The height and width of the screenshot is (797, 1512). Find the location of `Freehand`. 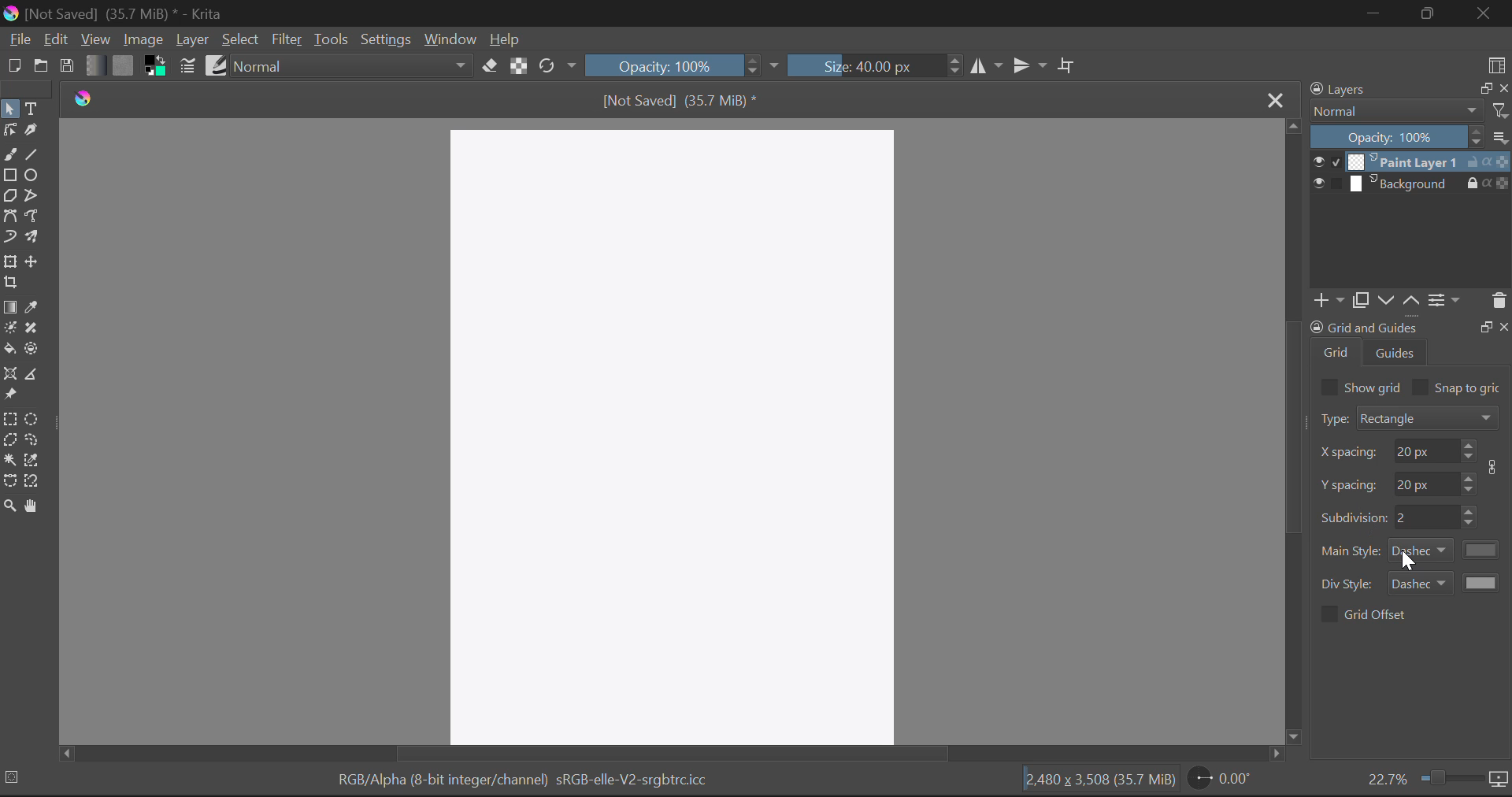

Freehand is located at coordinates (9, 155).